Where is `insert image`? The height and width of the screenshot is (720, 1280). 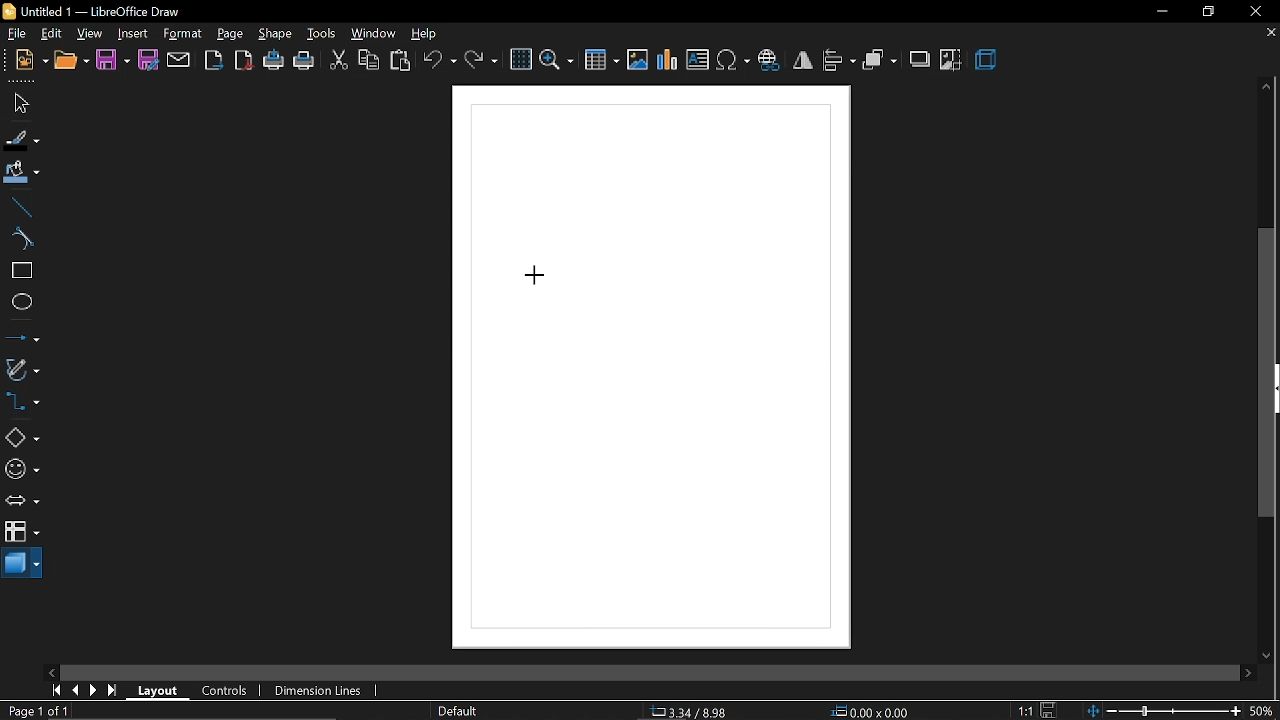 insert image is located at coordinates (638, 61).